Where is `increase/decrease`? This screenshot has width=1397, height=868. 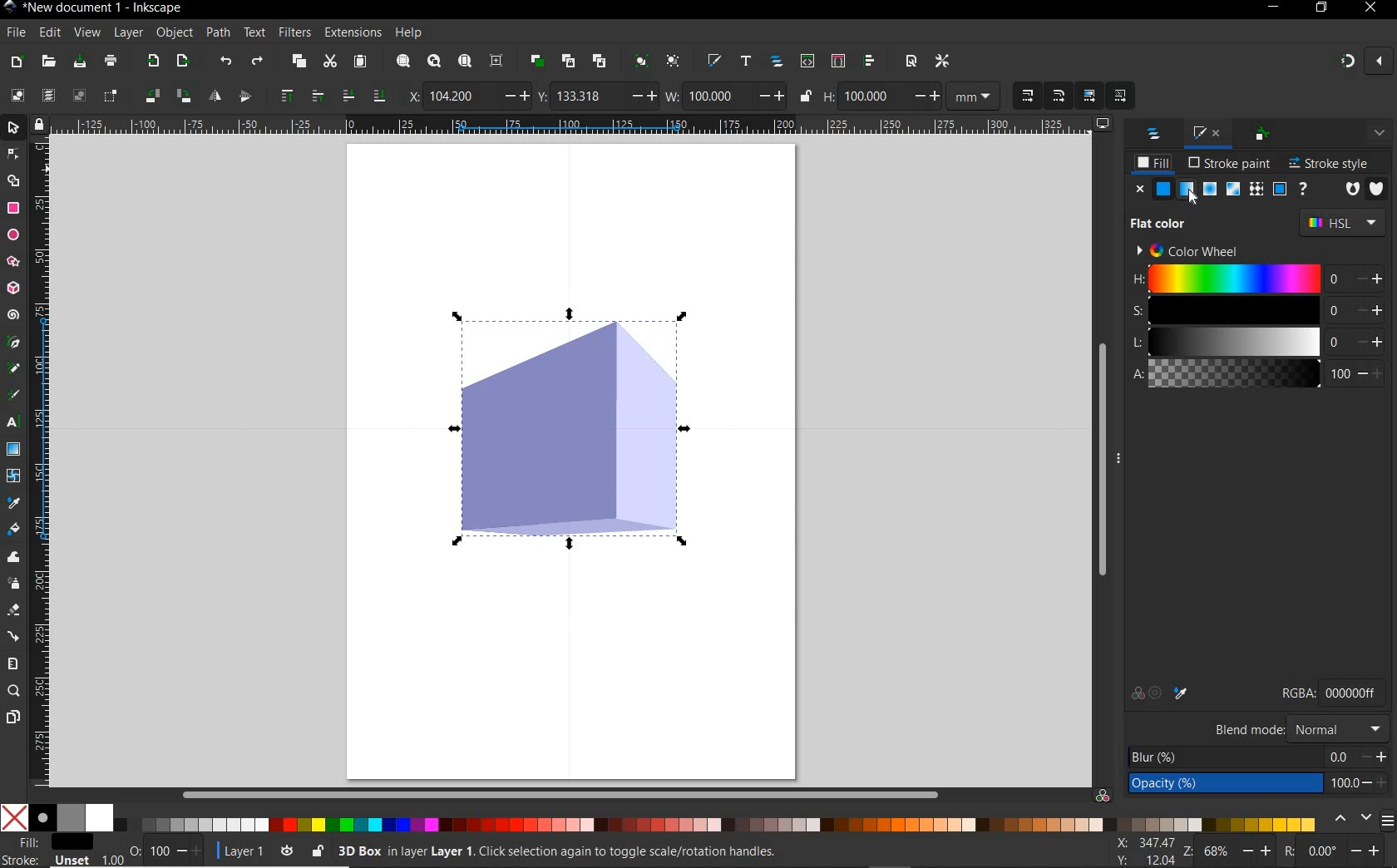
increase/decrease is located at coordinates (642, 96).